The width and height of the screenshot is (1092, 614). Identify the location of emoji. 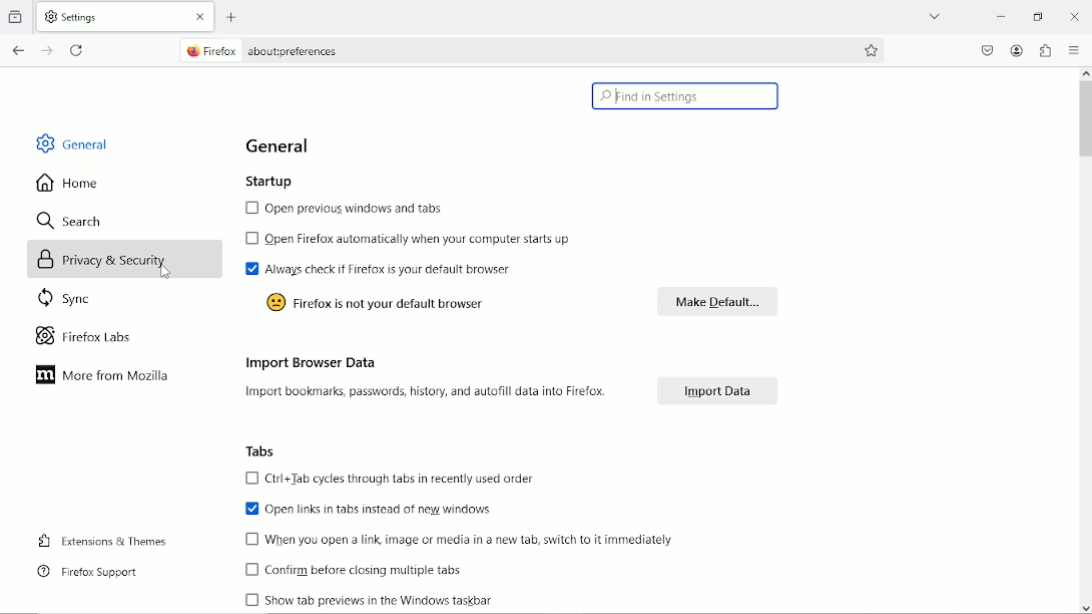
(277, 303).